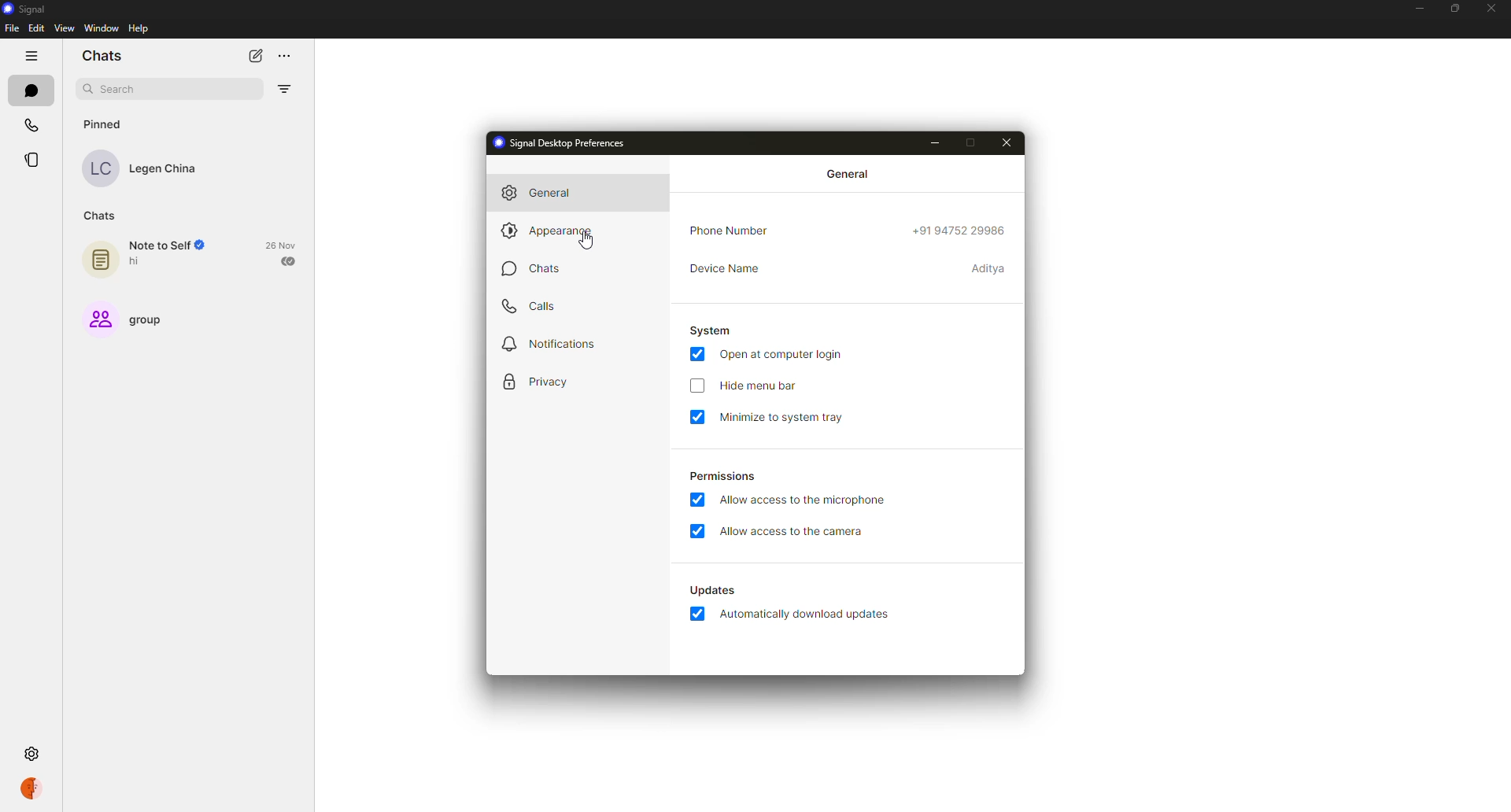 This screenshot has width=1511, height=812. What do you see at coordinates (534, 268) in the screenshot?
I see `chats` at bounding box center [534, 268].